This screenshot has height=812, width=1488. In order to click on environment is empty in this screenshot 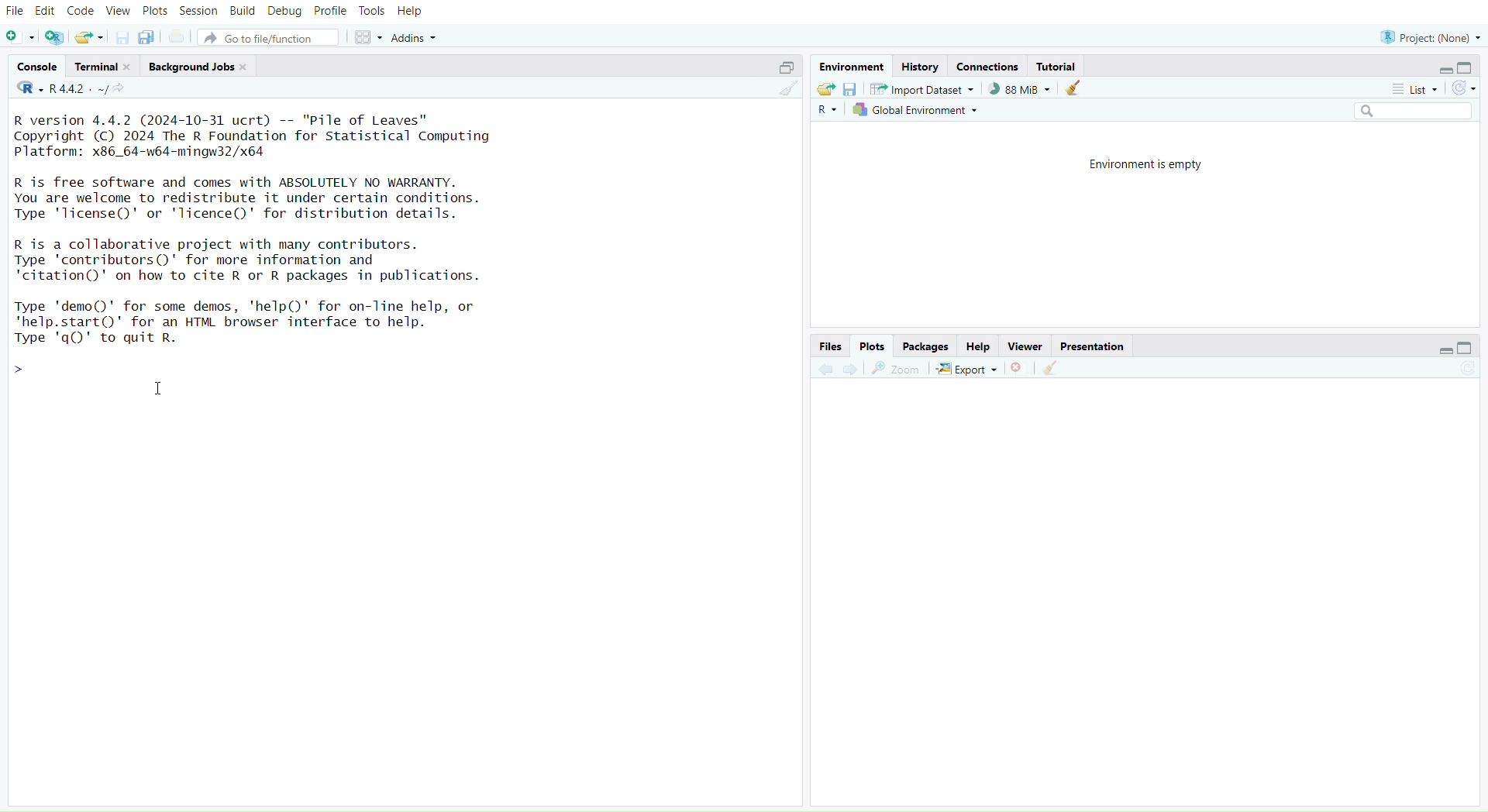, I will do `click(1150, 163)`.